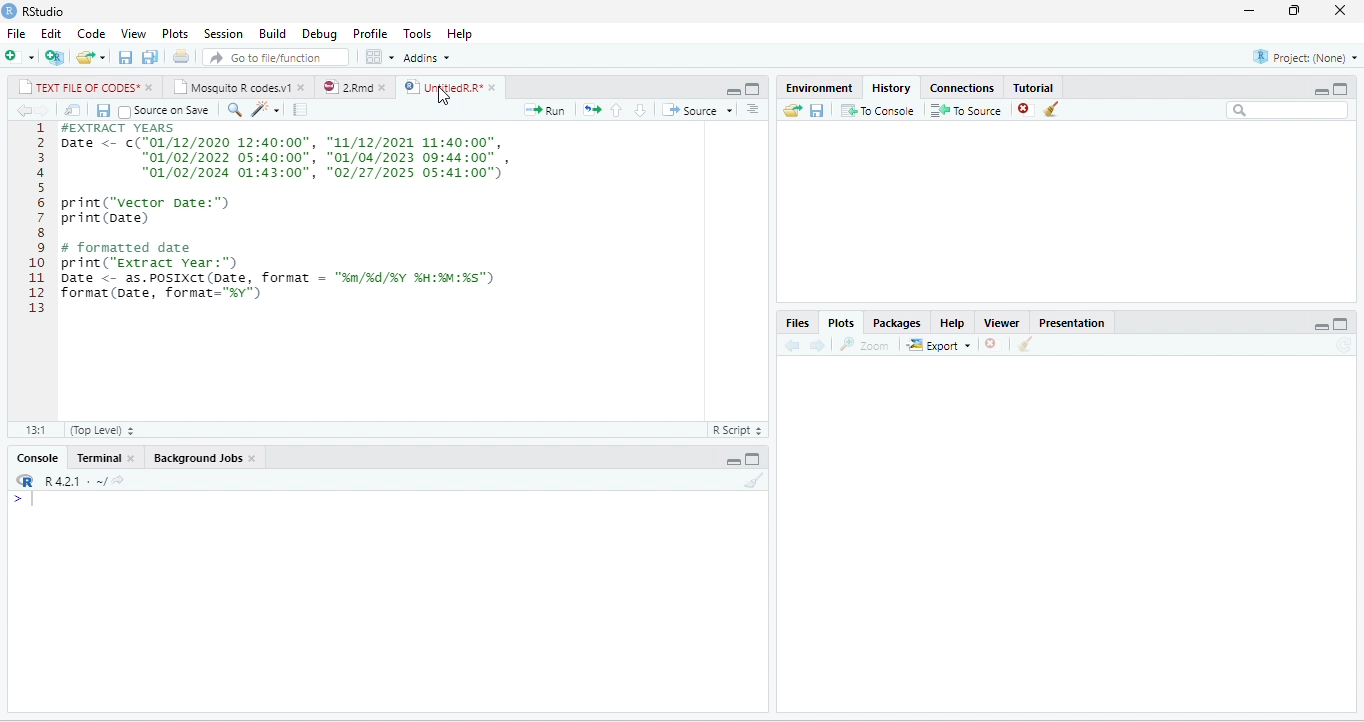 Image resolution: width=1364 pixels, height=722 pixels. What do you see at coordinates (733, 462) in the screenshot?
I see `minimize` at bounding box center [733, 462].